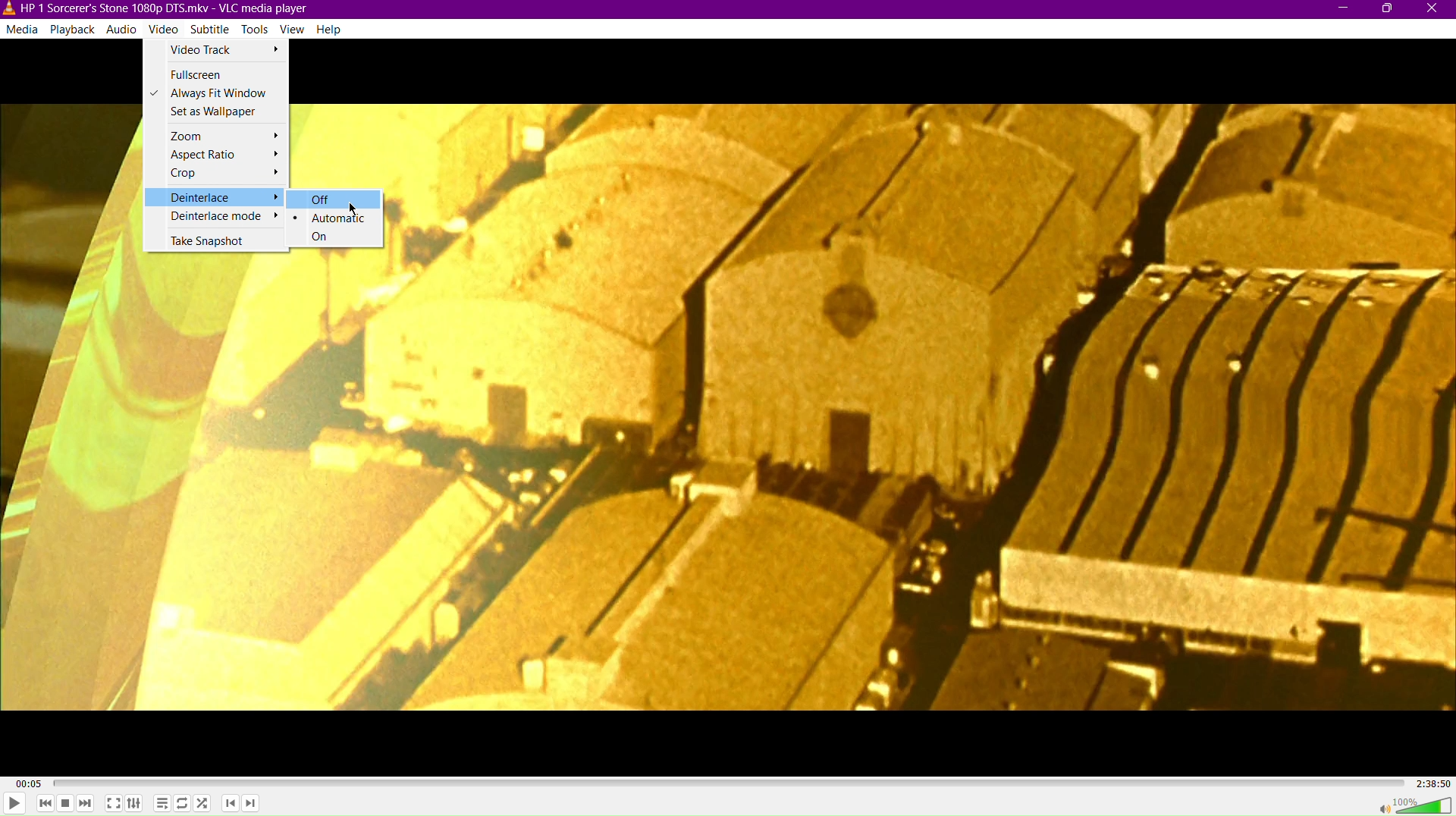  I want to click on Crop, so click(215, 176).